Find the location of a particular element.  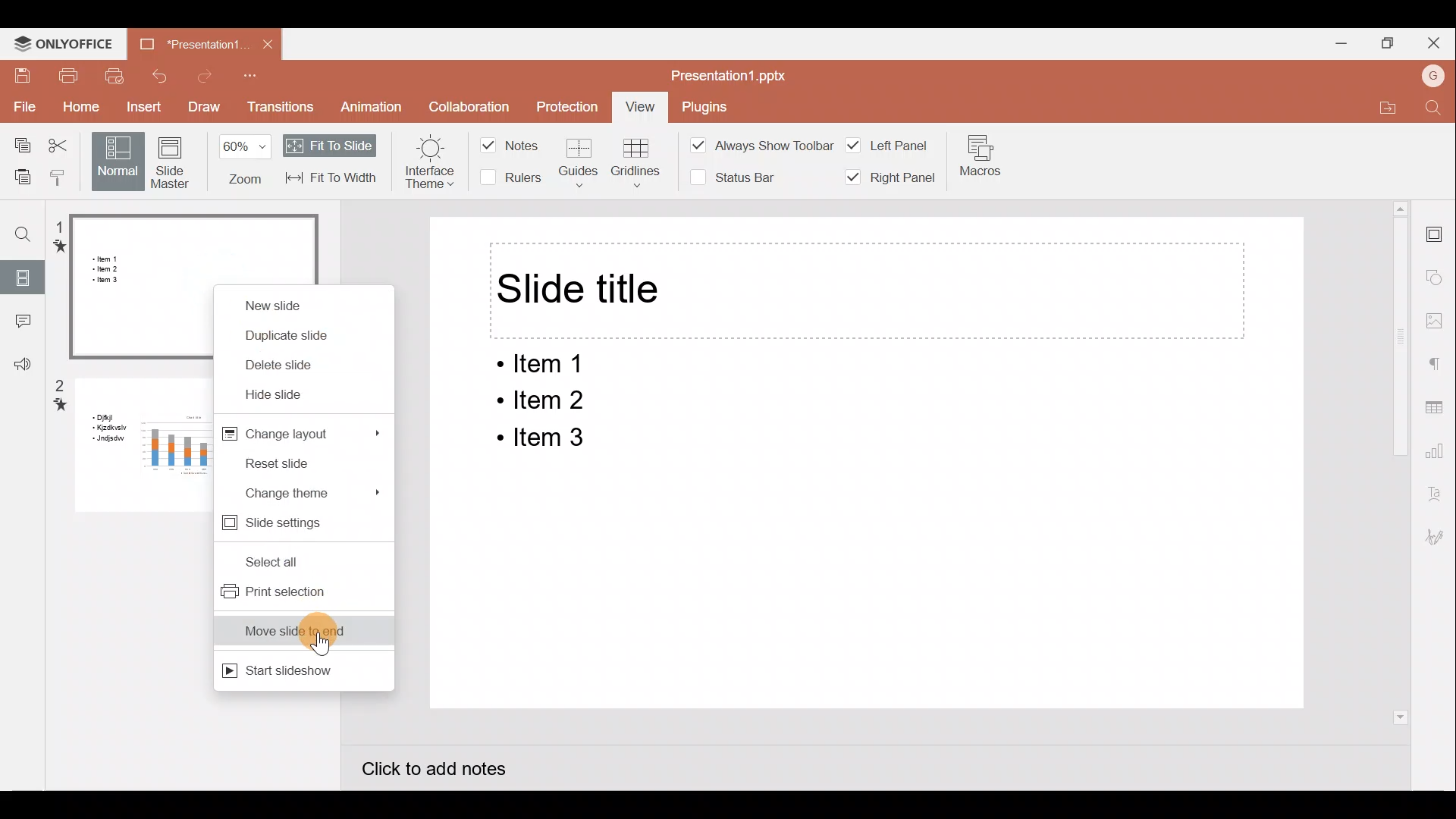

Signature settings is located at coordinates (1439, 537).